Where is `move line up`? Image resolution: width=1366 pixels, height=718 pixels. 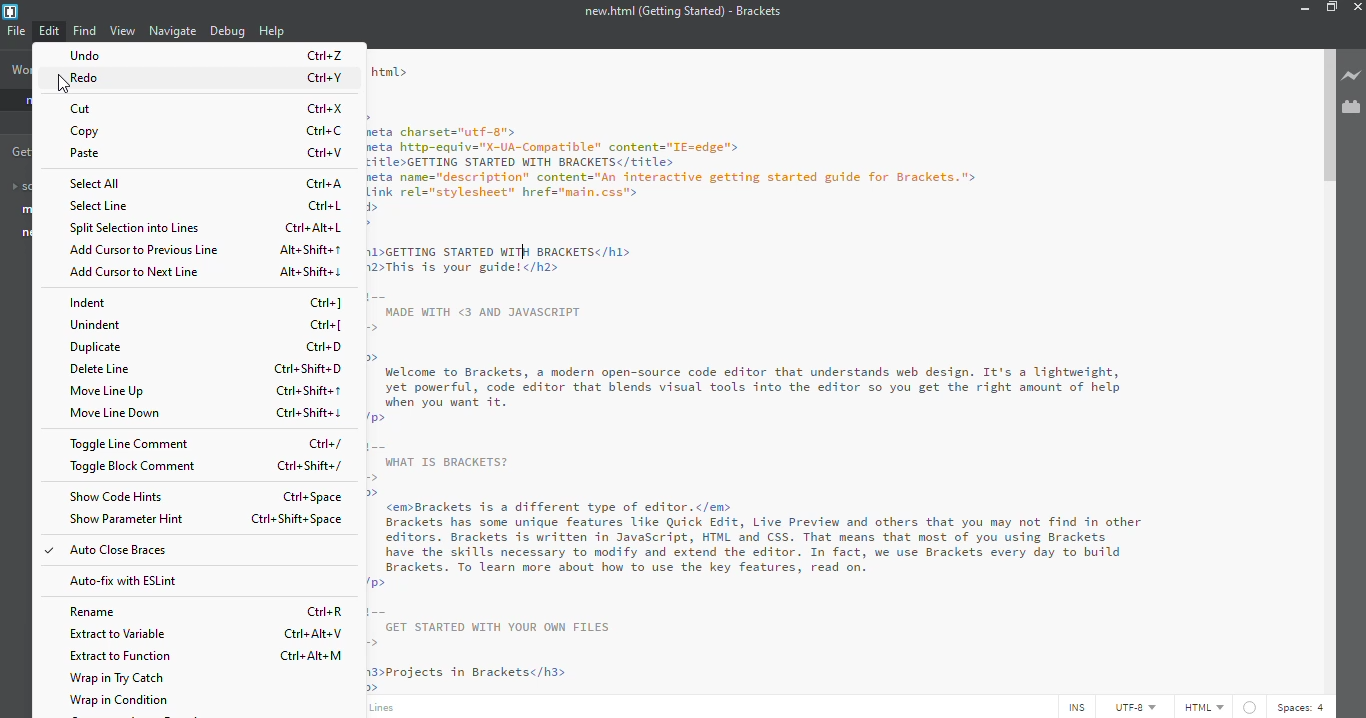 move line up is located at coordinates (108, 392).